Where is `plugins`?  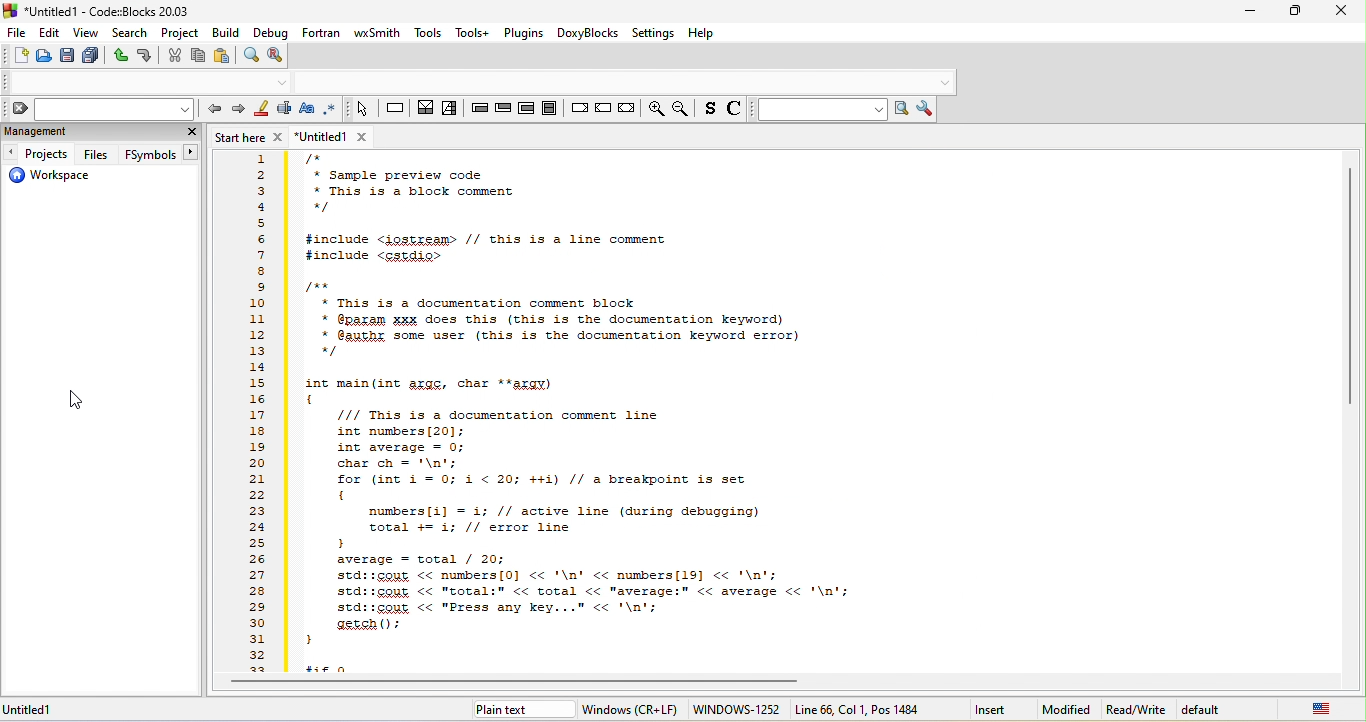 plugins is located at coordinates (525, 33).